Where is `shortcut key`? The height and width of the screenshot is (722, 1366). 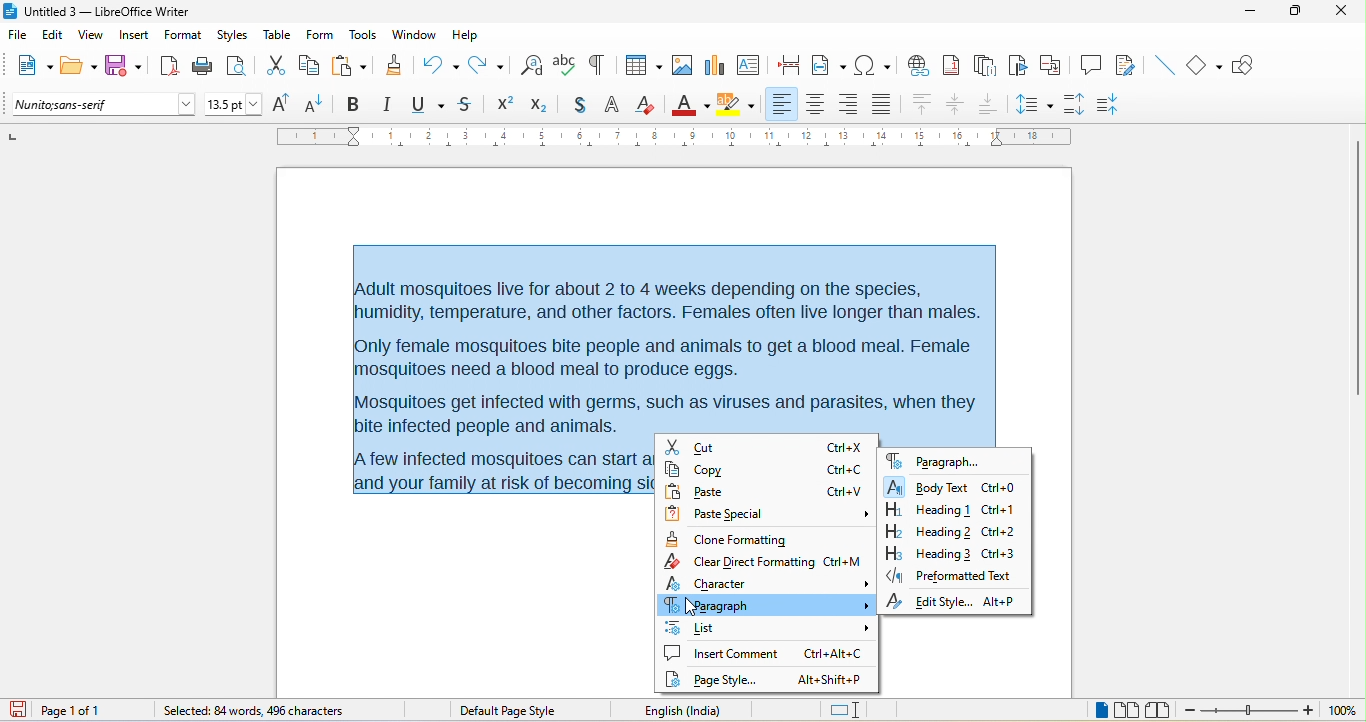 shortcut key is located at coordinates (846, 491).